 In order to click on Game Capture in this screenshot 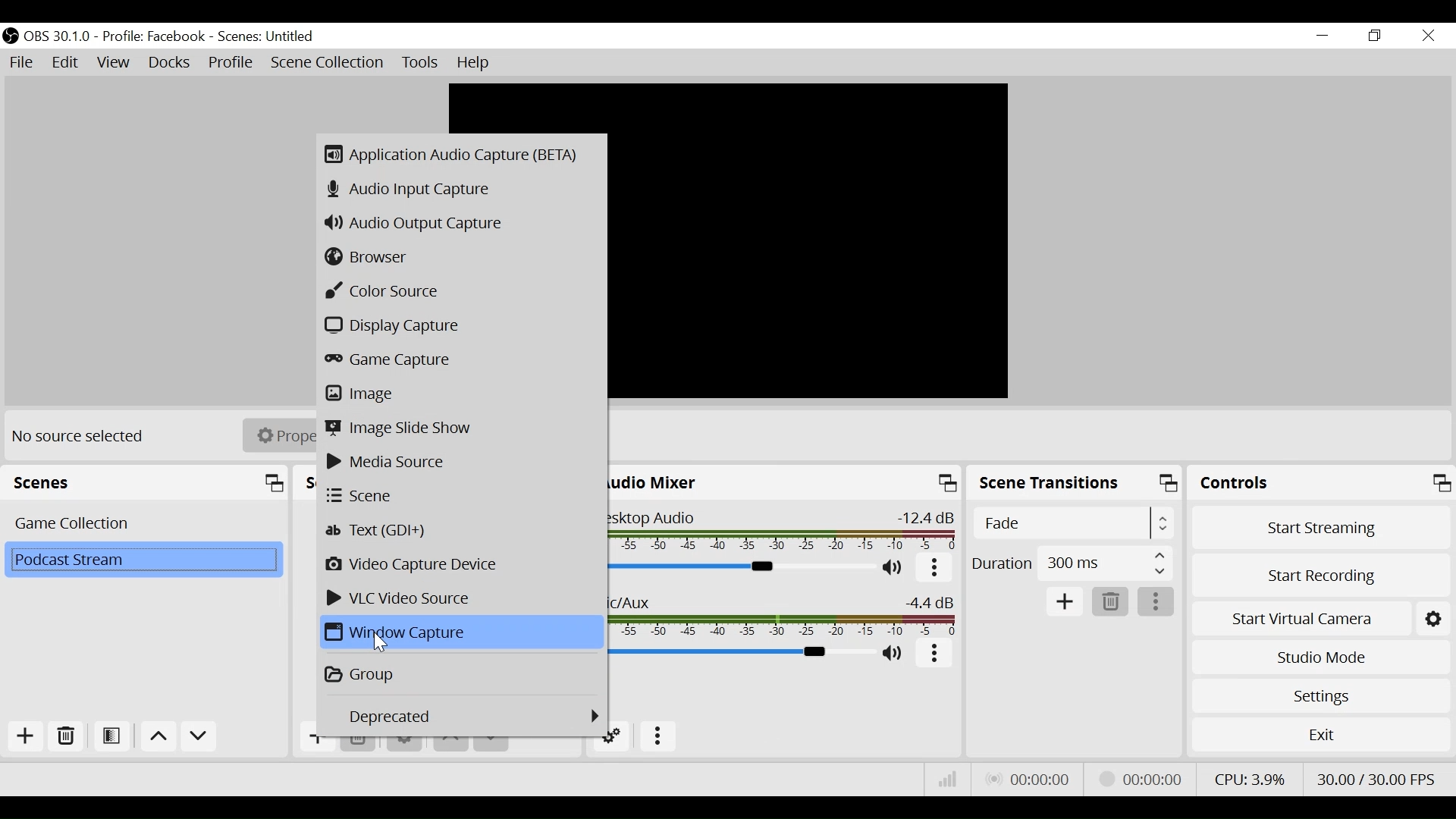, I will do `click(460, 360)`.